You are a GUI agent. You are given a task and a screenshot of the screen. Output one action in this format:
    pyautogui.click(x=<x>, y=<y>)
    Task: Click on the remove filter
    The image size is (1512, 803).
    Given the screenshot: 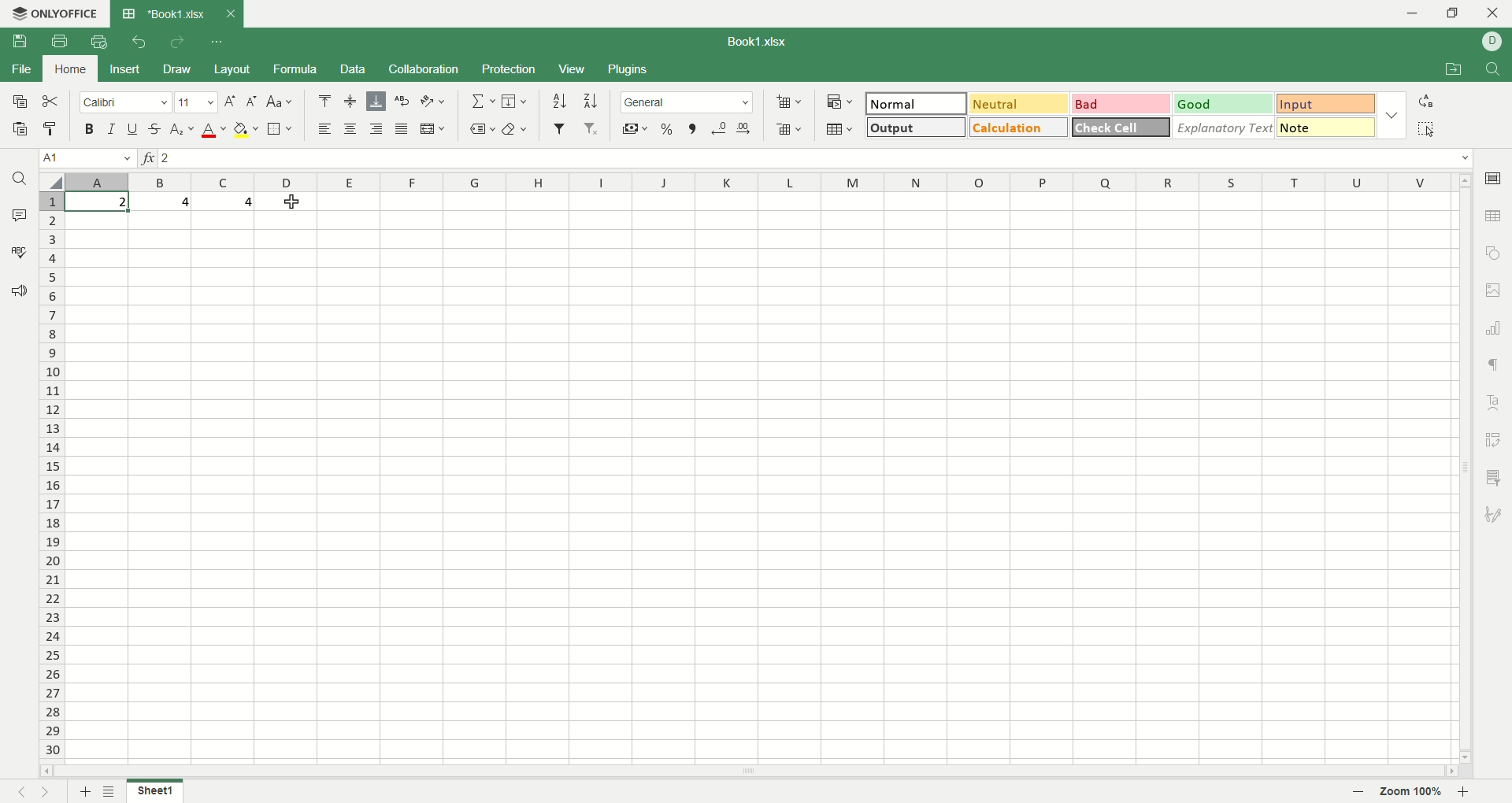 What is the action you would take?
    pyautogui.click(x=591, y=127)
    